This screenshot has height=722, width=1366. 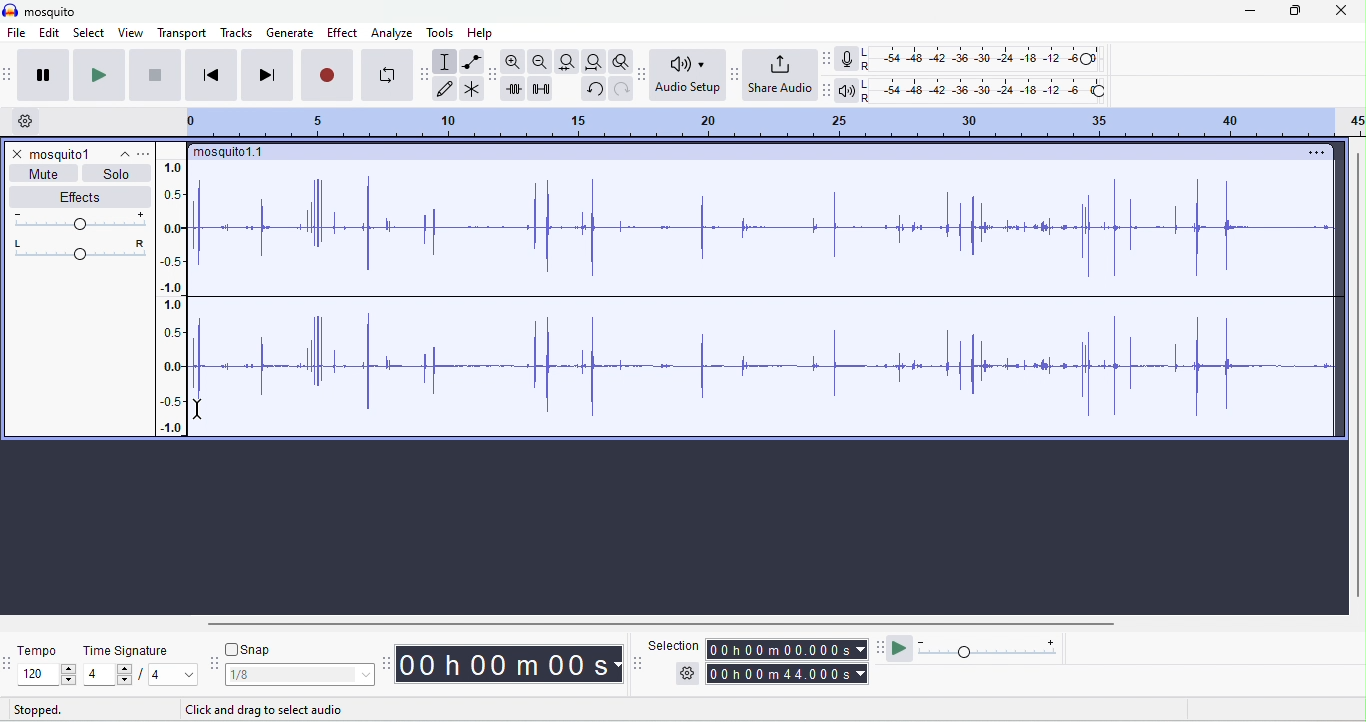 What do you see at coordinates (828, 59) in the screenshot?
I see `record meter tool bar` at bounding box center [828, 59].